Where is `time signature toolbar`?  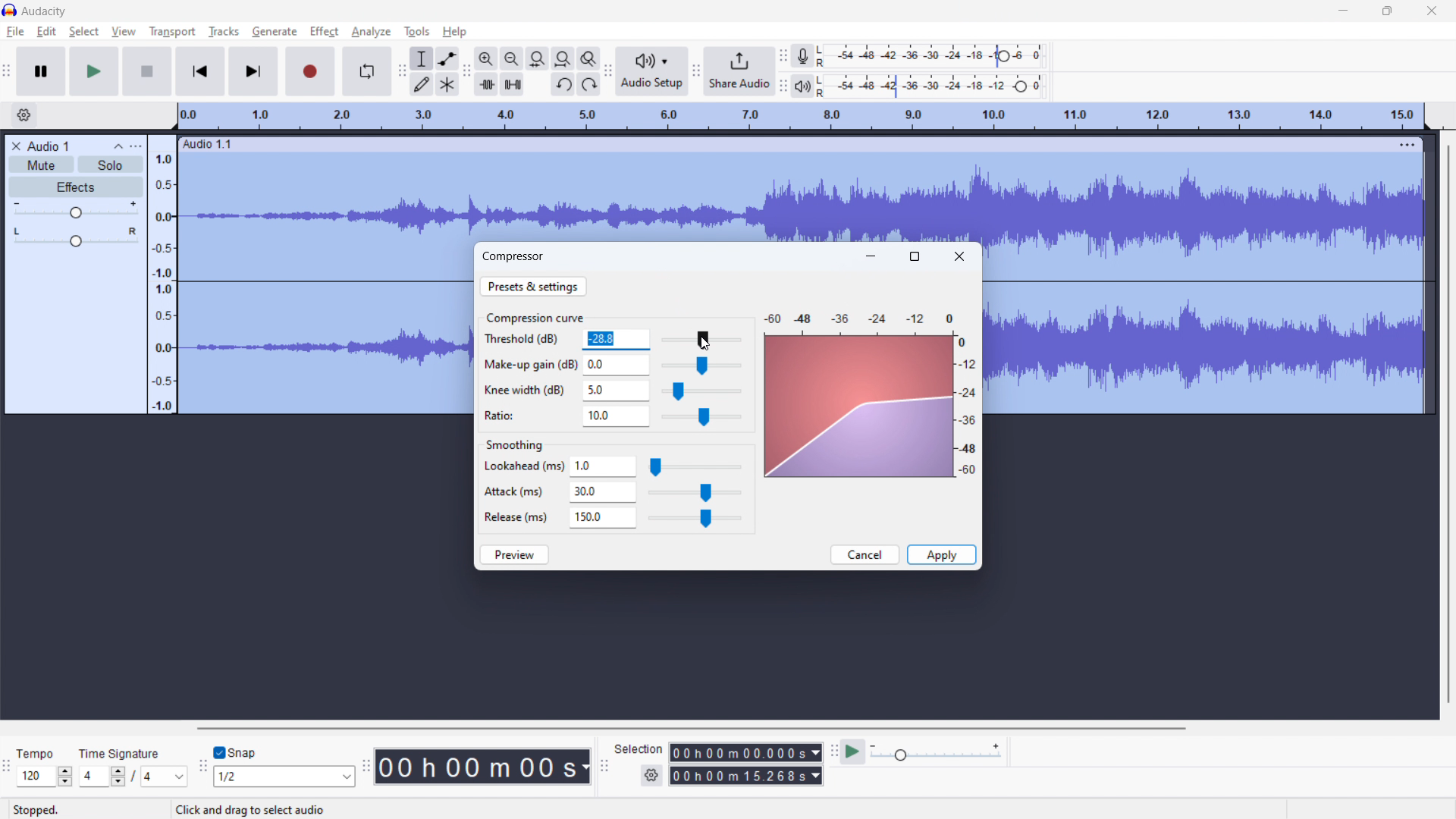 time signature toolbar is located at coordinates (8, 769).